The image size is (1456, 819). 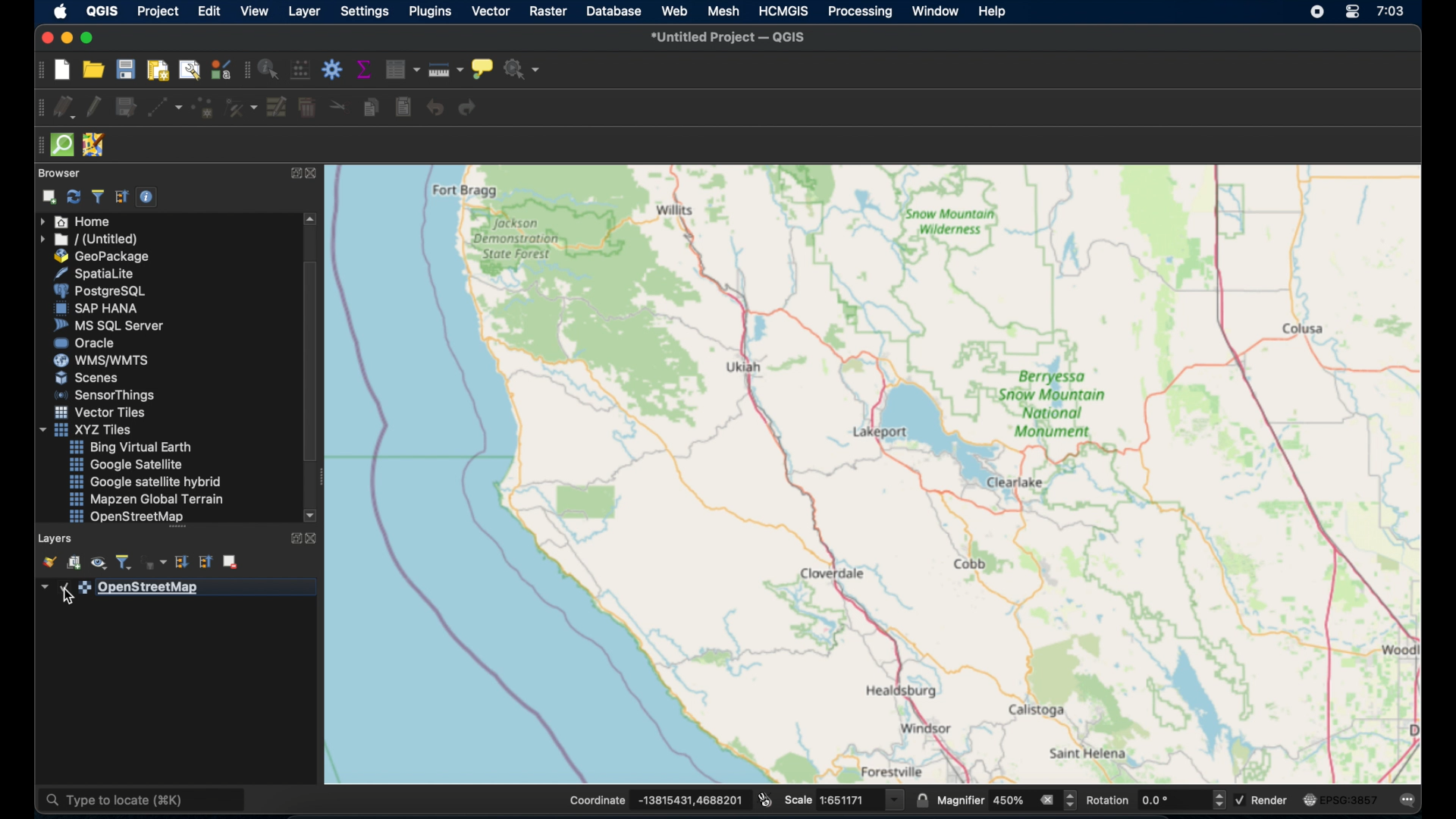 What do you see at coordinates (239, 108) in the screenshot?
I see `vertex tool` at bounding box center [239, 108].